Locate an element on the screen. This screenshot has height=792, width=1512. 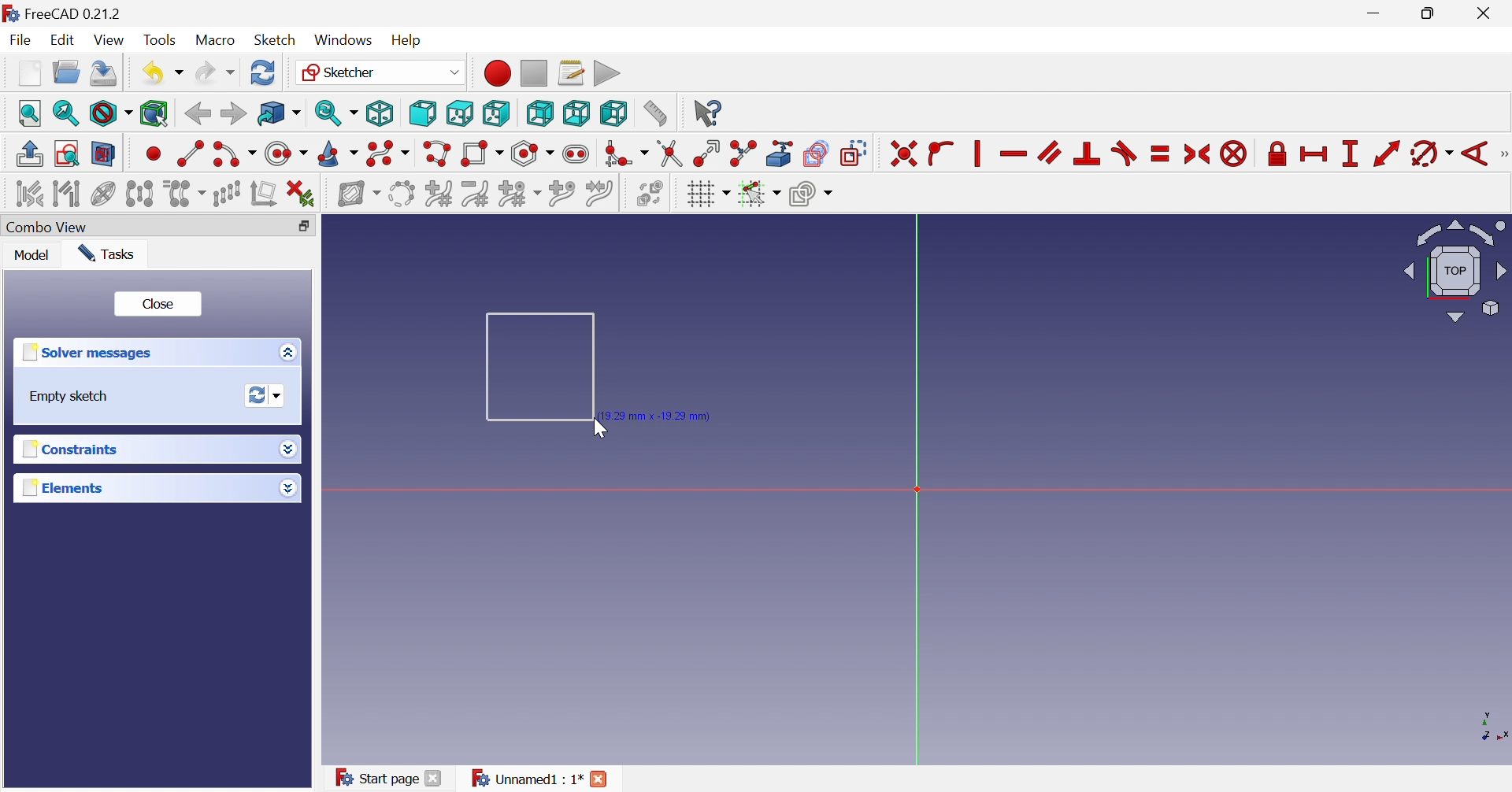
Sync view is located at coordinates (336, 113).